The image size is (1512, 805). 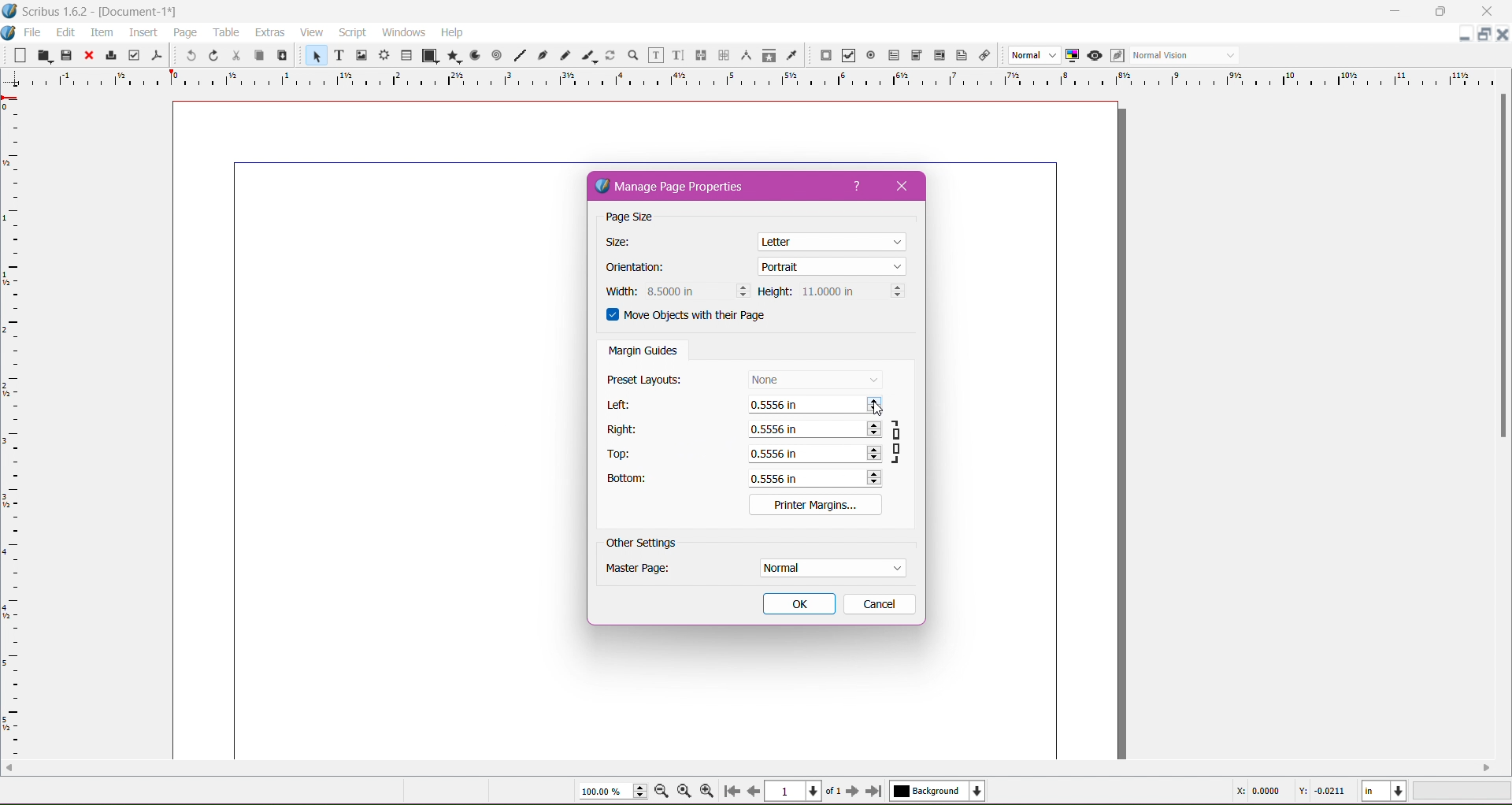 I want to click on Link Text Frames, so click(x=699, y=55).